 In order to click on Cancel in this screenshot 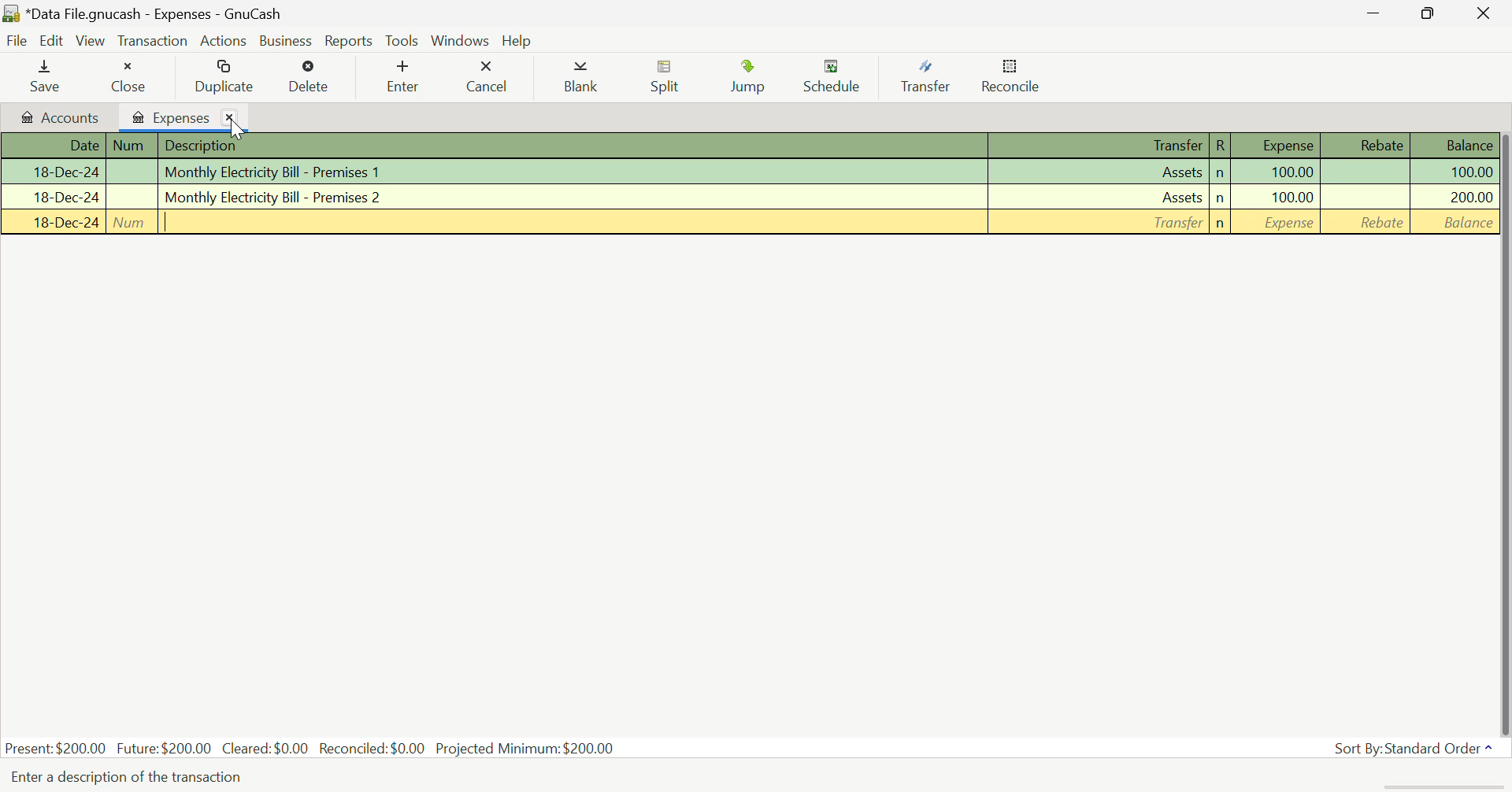, I will do `click(488, 77)`.